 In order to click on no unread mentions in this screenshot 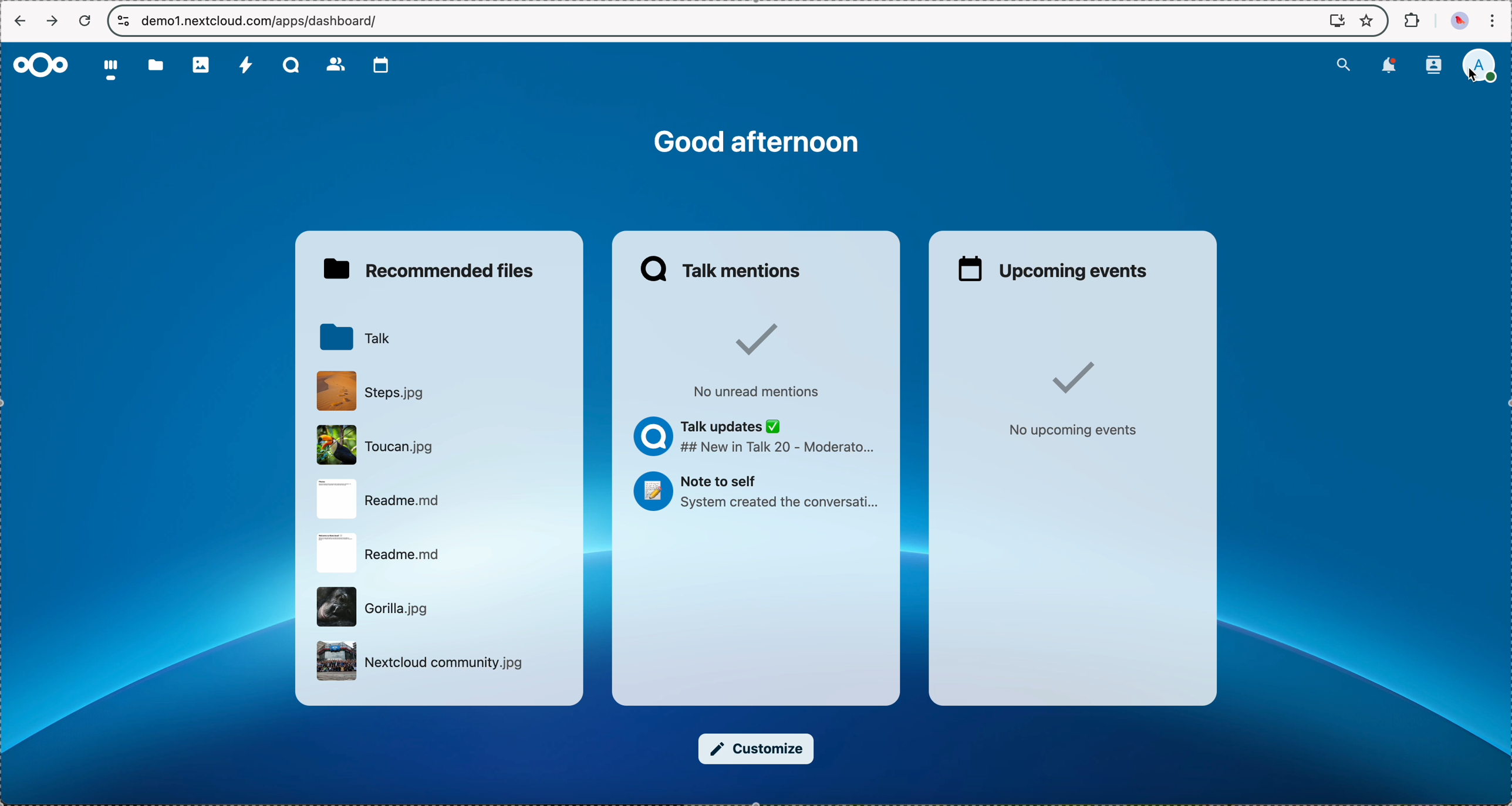, I will do `click(766, 358)`.